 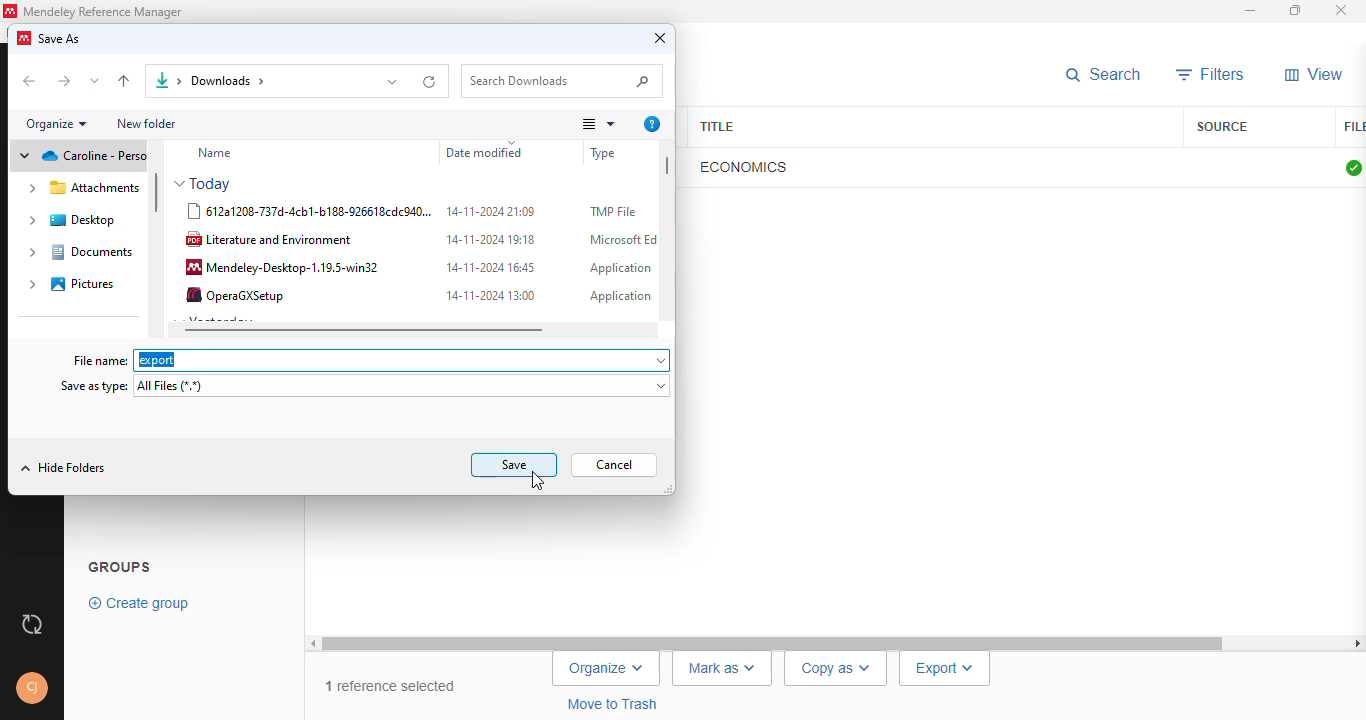 What do you see at coordinates (149, 123) in the screenshot?
I see `new folder` at bounding box center [149, 123].